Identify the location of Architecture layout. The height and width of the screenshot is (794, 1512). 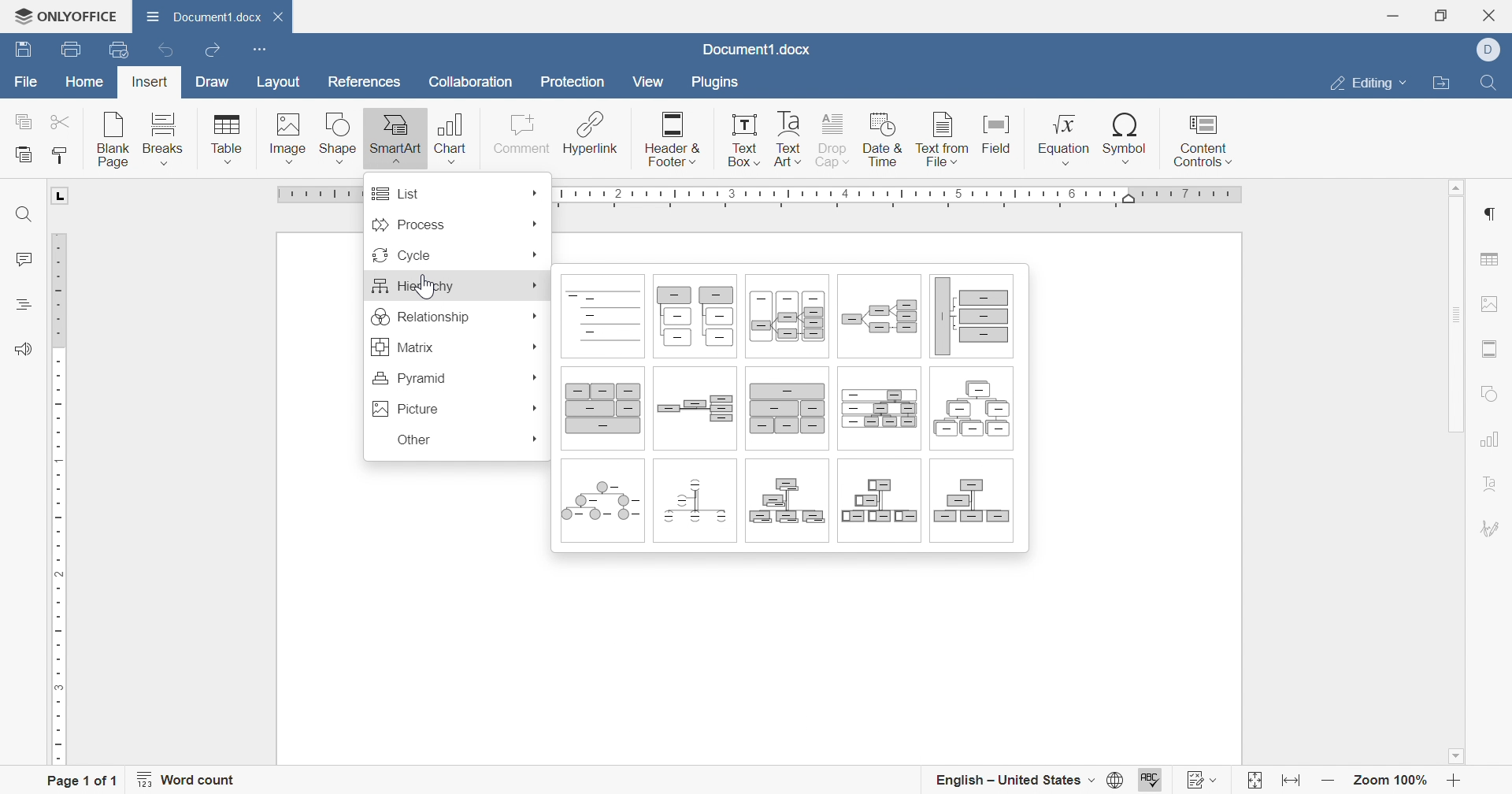
(604, 414).